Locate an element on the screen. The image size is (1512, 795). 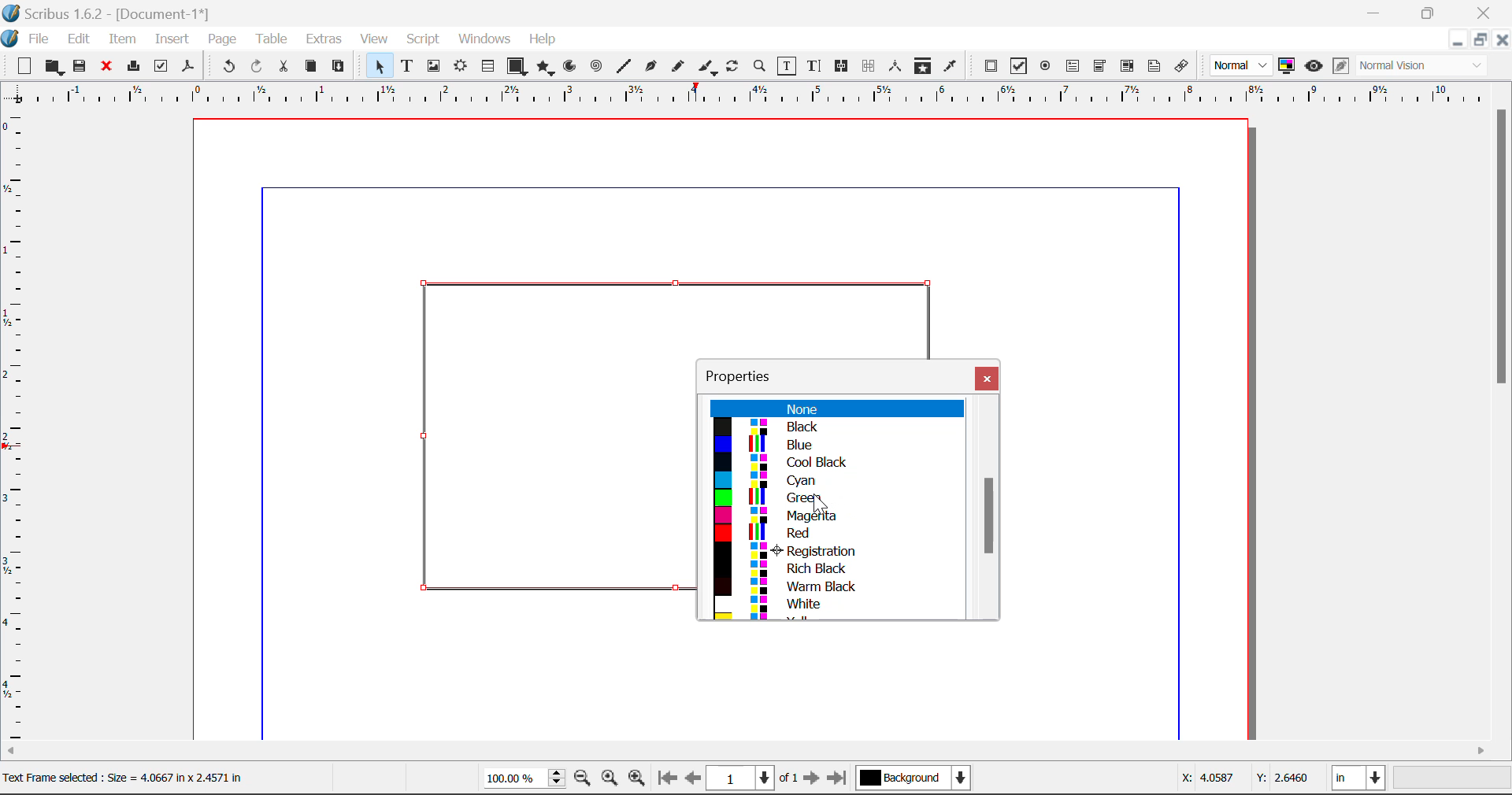
Redo is located at coordinates (260, 67).